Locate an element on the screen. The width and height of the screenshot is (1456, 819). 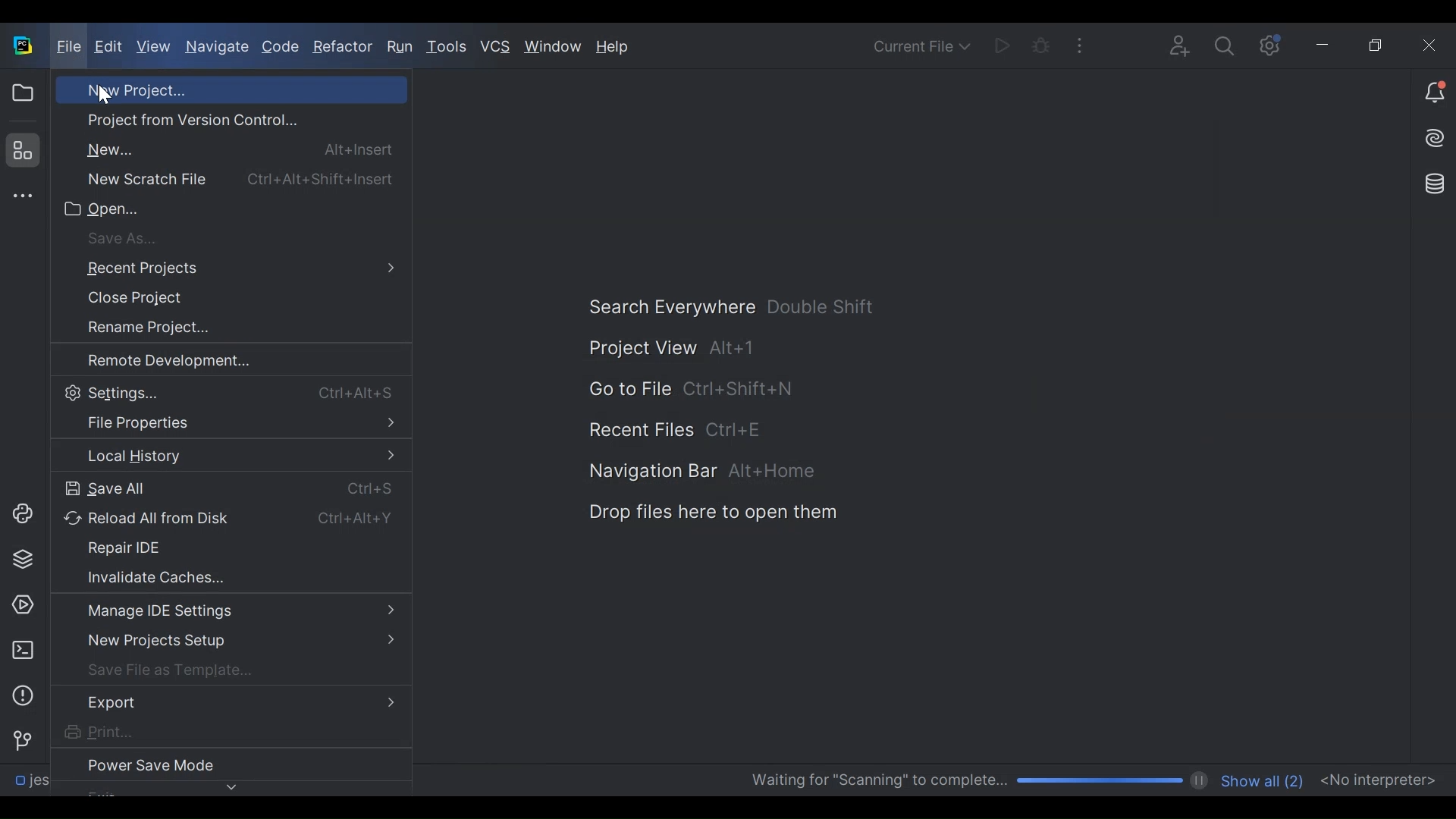
Help is located at coordinates (613, 49).